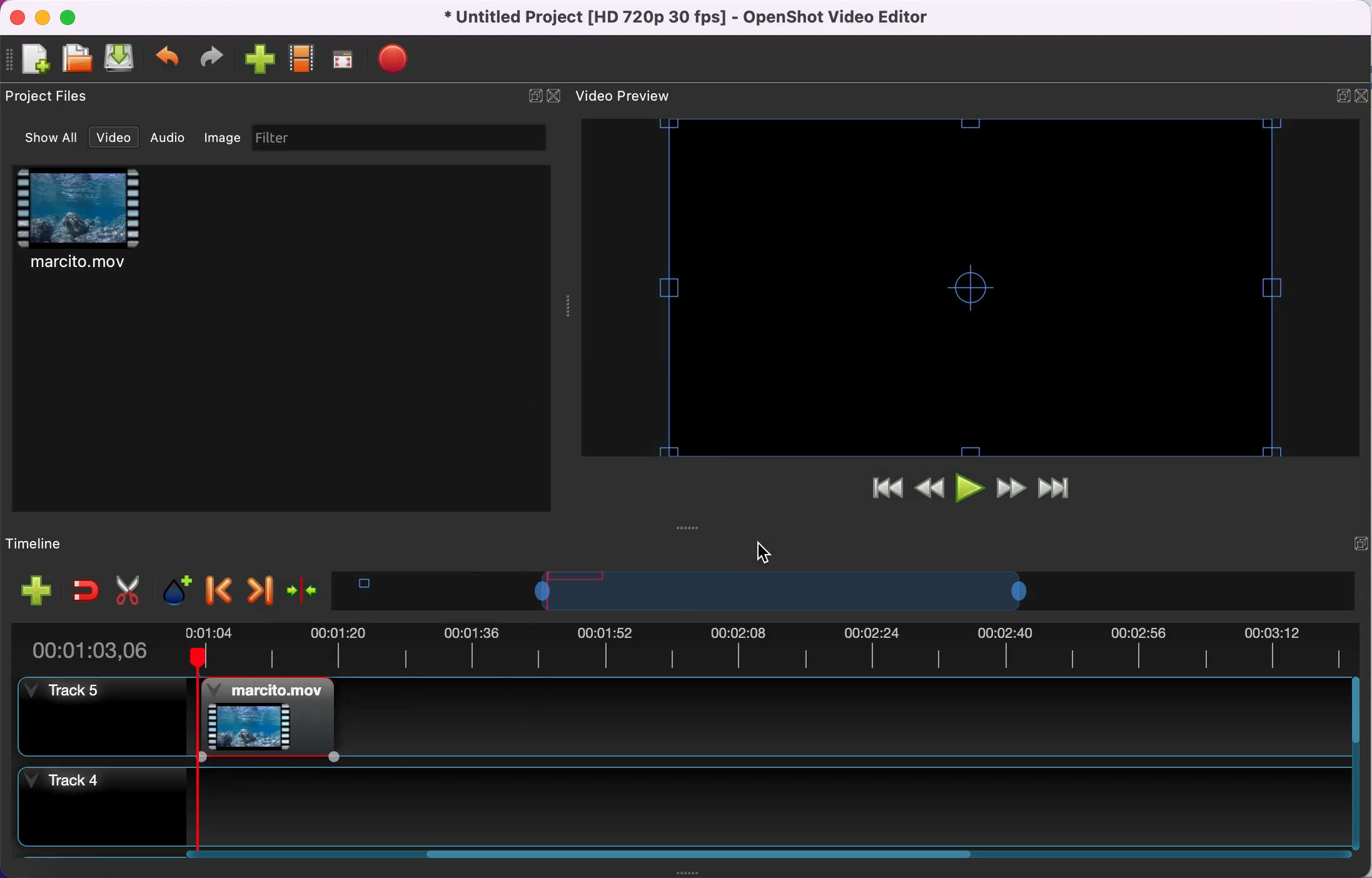  I want to click on open file, so click(74, 59).